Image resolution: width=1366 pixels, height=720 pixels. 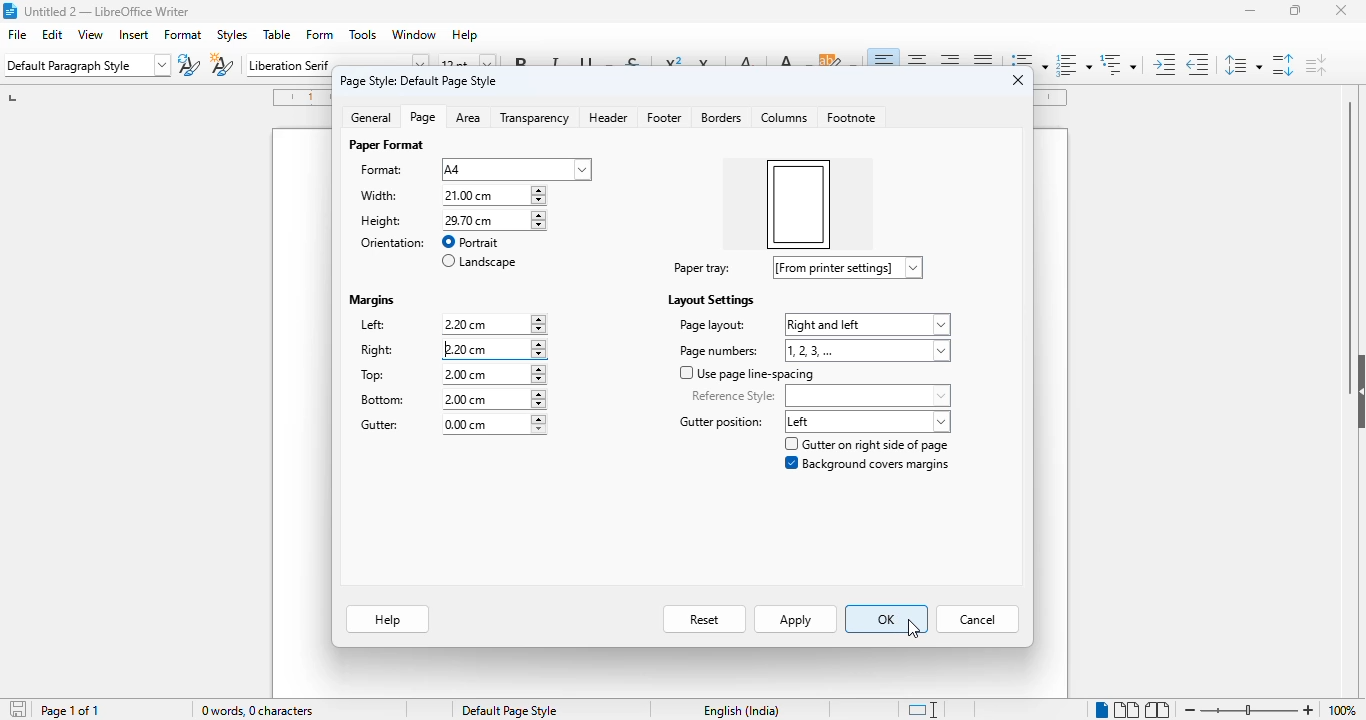 I want to click on zoom factor, so click(x=1342, y=711).